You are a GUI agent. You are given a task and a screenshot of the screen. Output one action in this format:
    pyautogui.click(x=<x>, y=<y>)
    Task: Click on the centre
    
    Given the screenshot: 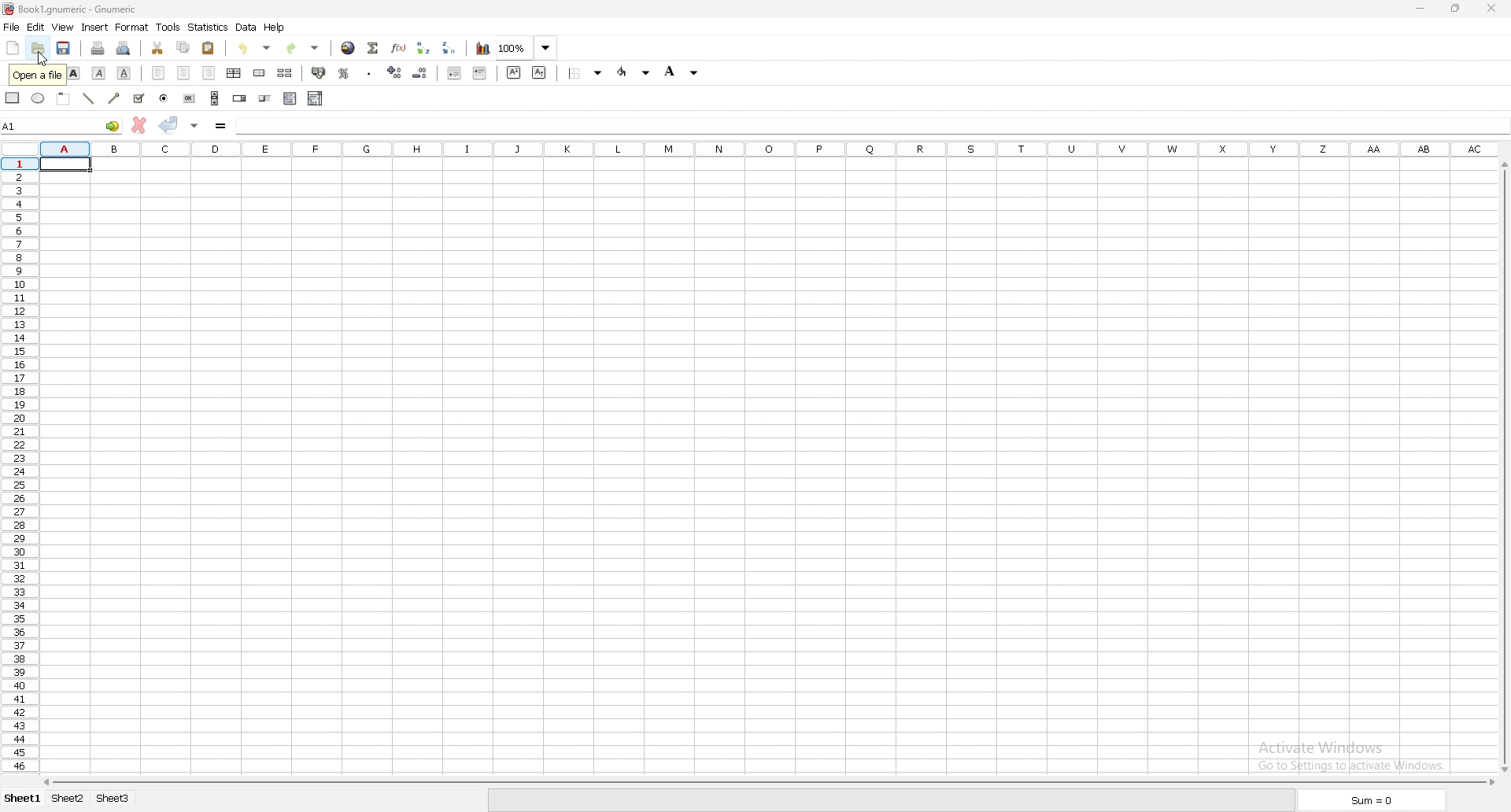 What is the action you would take?
    pyautogui.click(x=184, y=73)
    